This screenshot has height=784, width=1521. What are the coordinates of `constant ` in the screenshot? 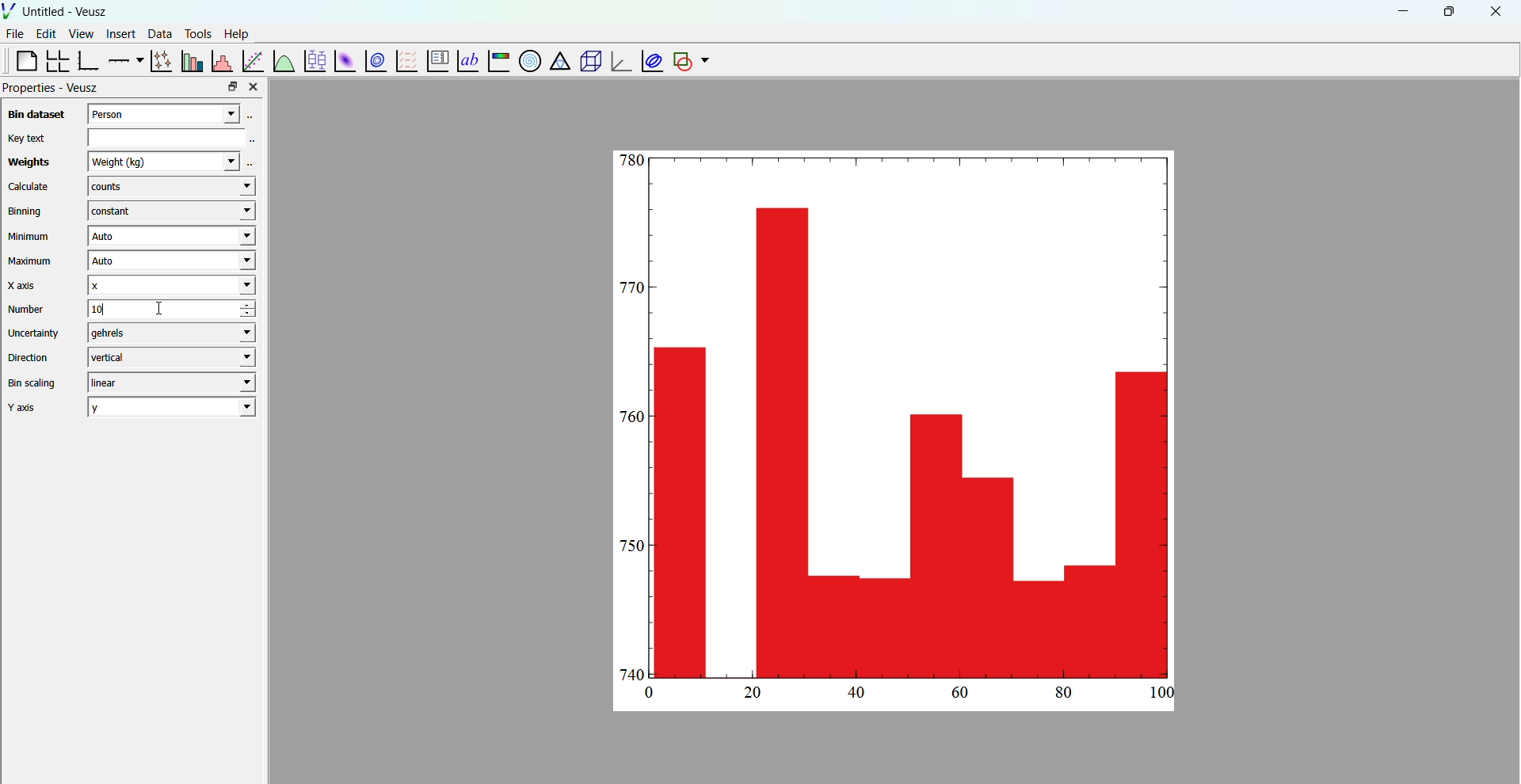 It's located at (168, 211).